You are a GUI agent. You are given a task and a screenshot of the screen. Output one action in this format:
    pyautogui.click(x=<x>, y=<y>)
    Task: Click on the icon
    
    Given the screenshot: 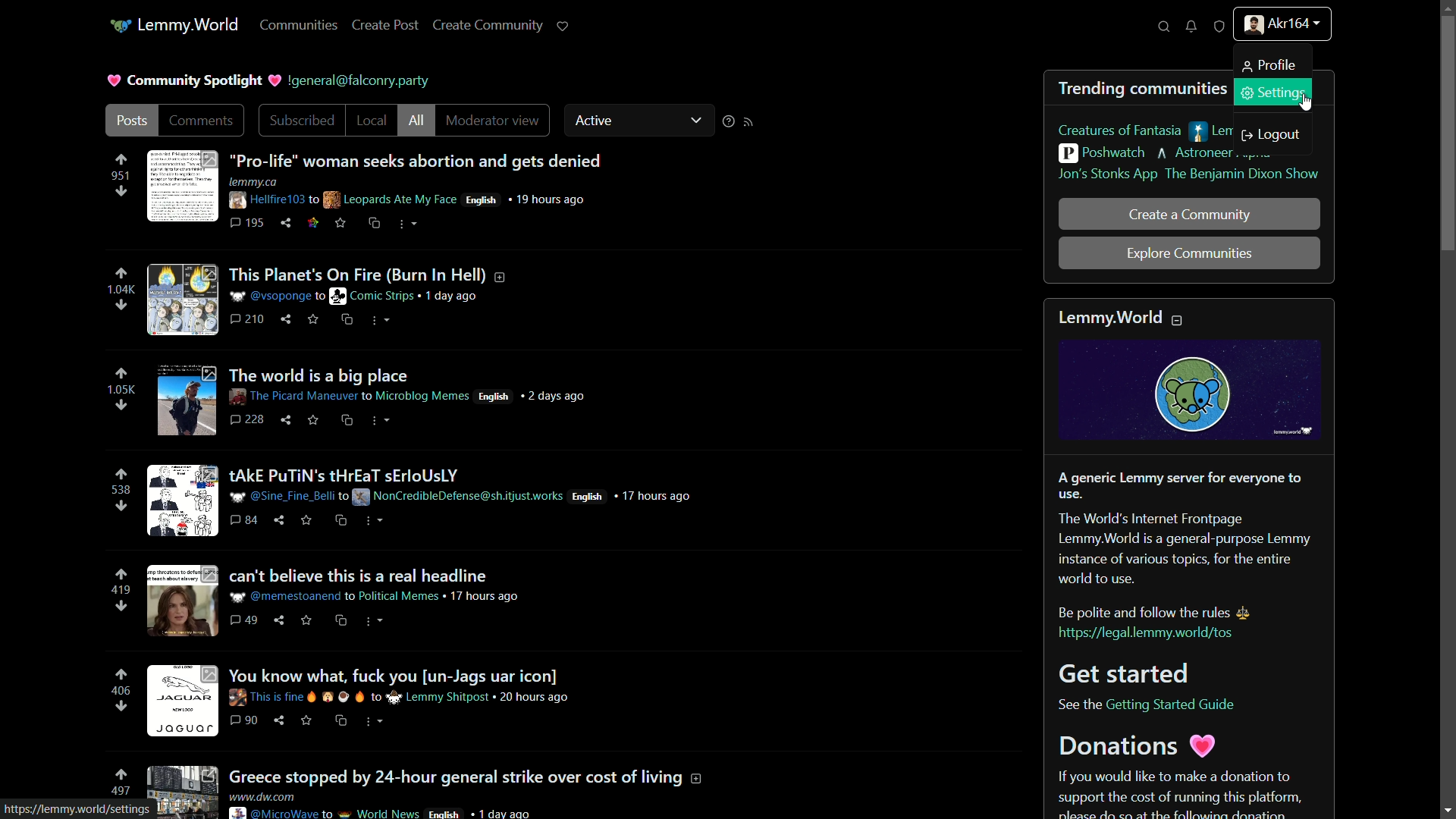 What is the action you would take?
    pyautogui.click(x=120, y=26)
    